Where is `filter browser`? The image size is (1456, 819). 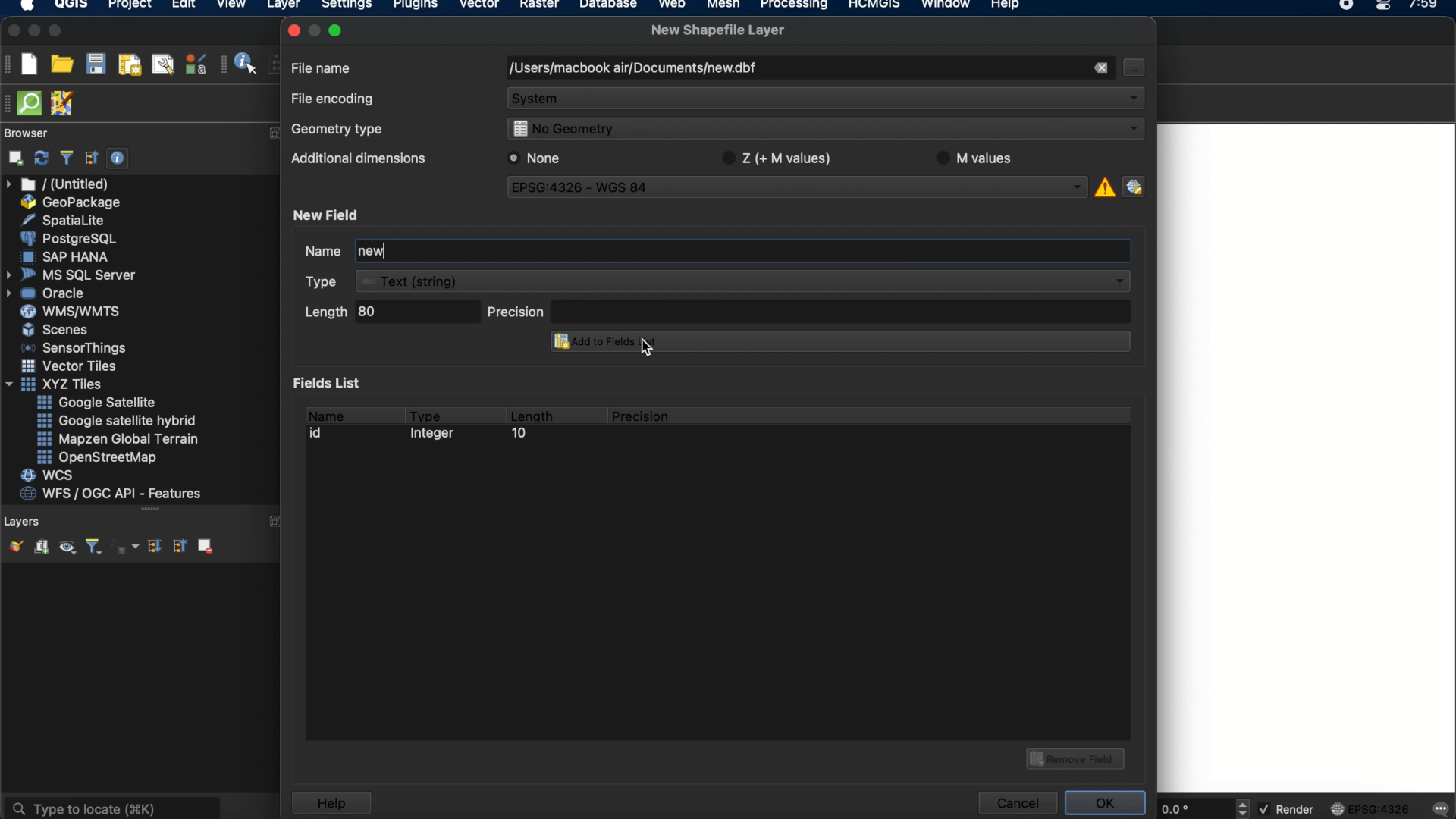
filter browser is located at coordinates (66, 158).